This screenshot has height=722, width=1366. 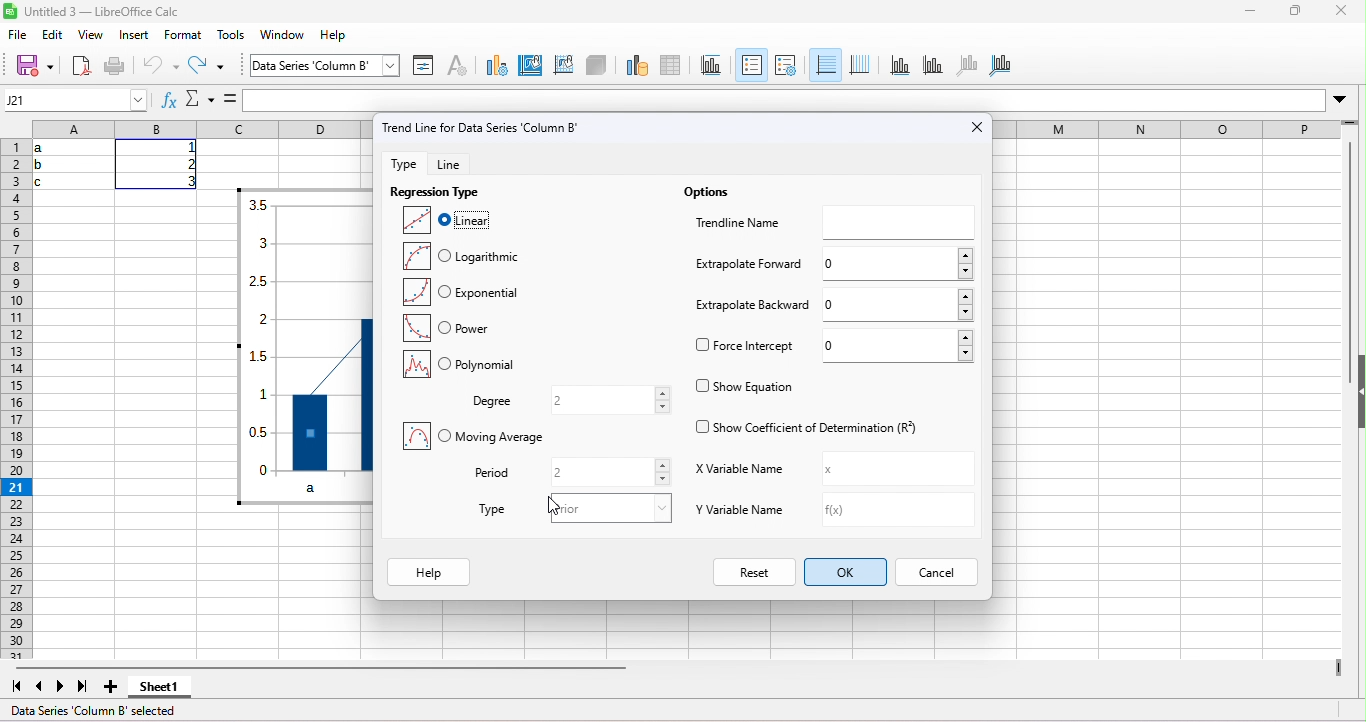 What do you see at coordinates (1004, 67) in the screenshot?
I see `all axes` at bounding box center [1004, 67].